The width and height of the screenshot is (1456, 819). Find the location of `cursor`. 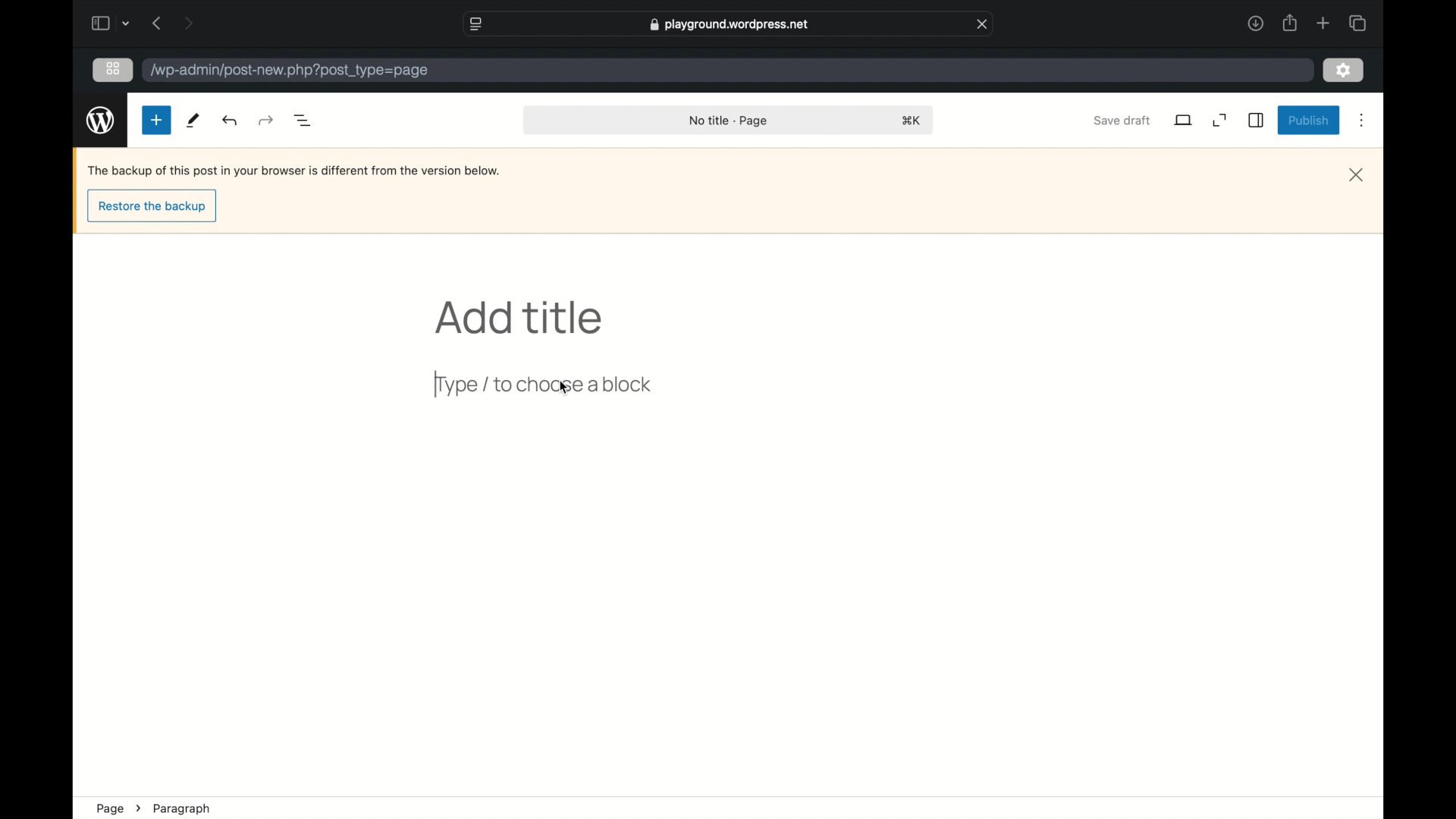

cursor is located at coordinates (563, 388).